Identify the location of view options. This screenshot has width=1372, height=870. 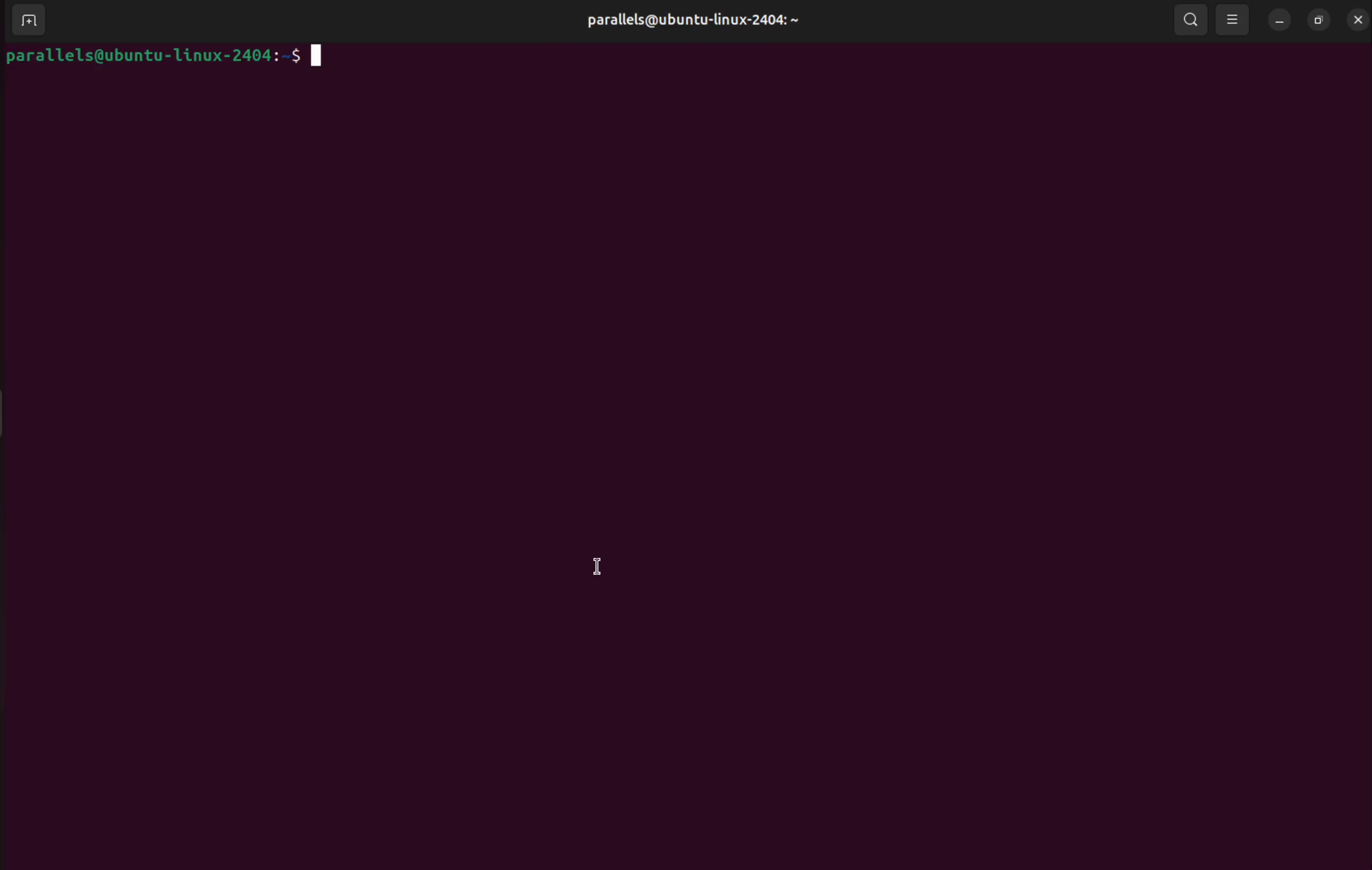
(1235, 19).